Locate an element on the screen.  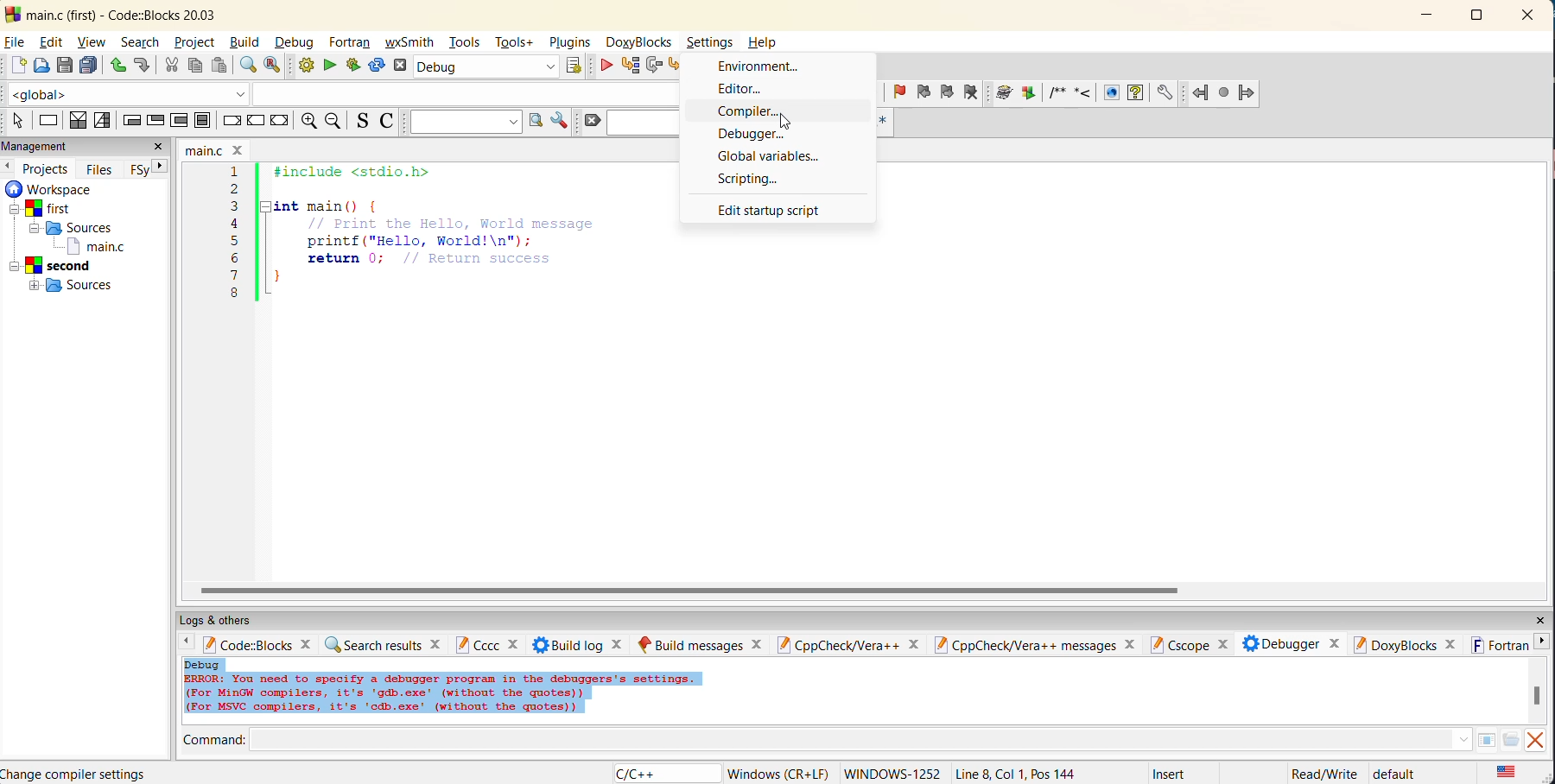
run is located at coordinates (331, 66).